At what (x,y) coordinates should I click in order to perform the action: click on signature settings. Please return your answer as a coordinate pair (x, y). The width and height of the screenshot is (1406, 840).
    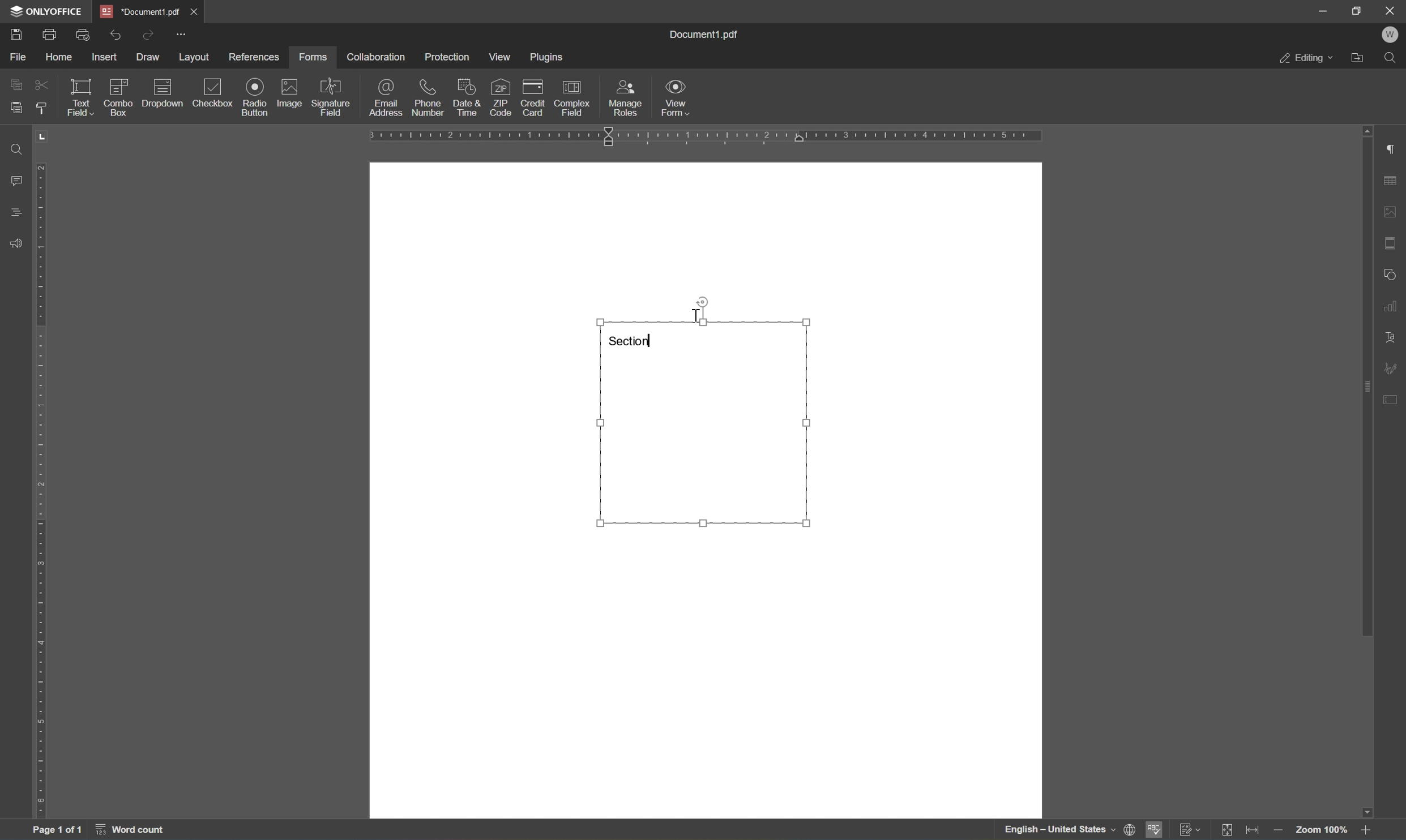
    Looking at the image, I should click on (1394, 368).